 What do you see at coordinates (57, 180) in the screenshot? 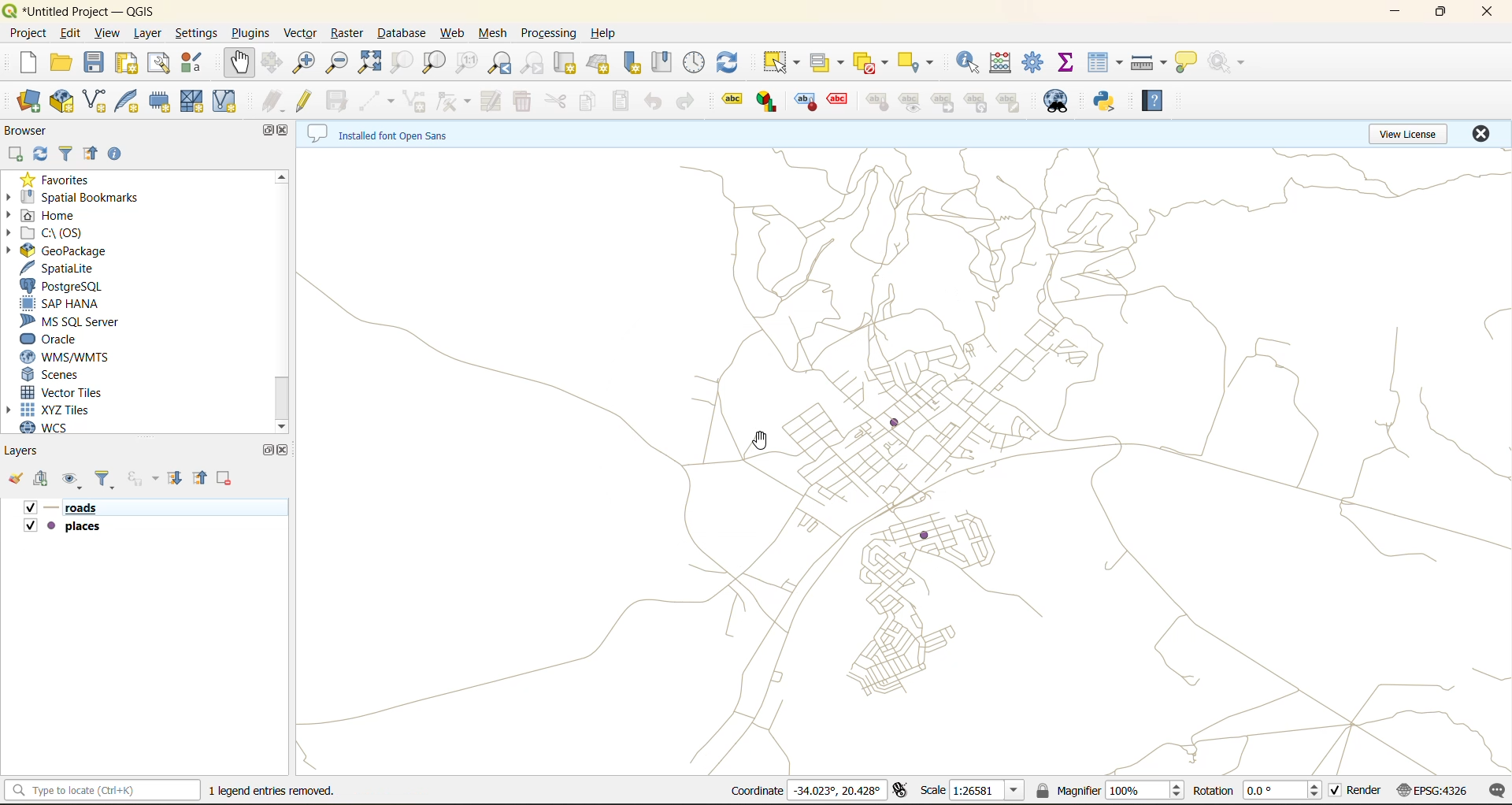
I see `favorites` at bounding box center [57, 180].